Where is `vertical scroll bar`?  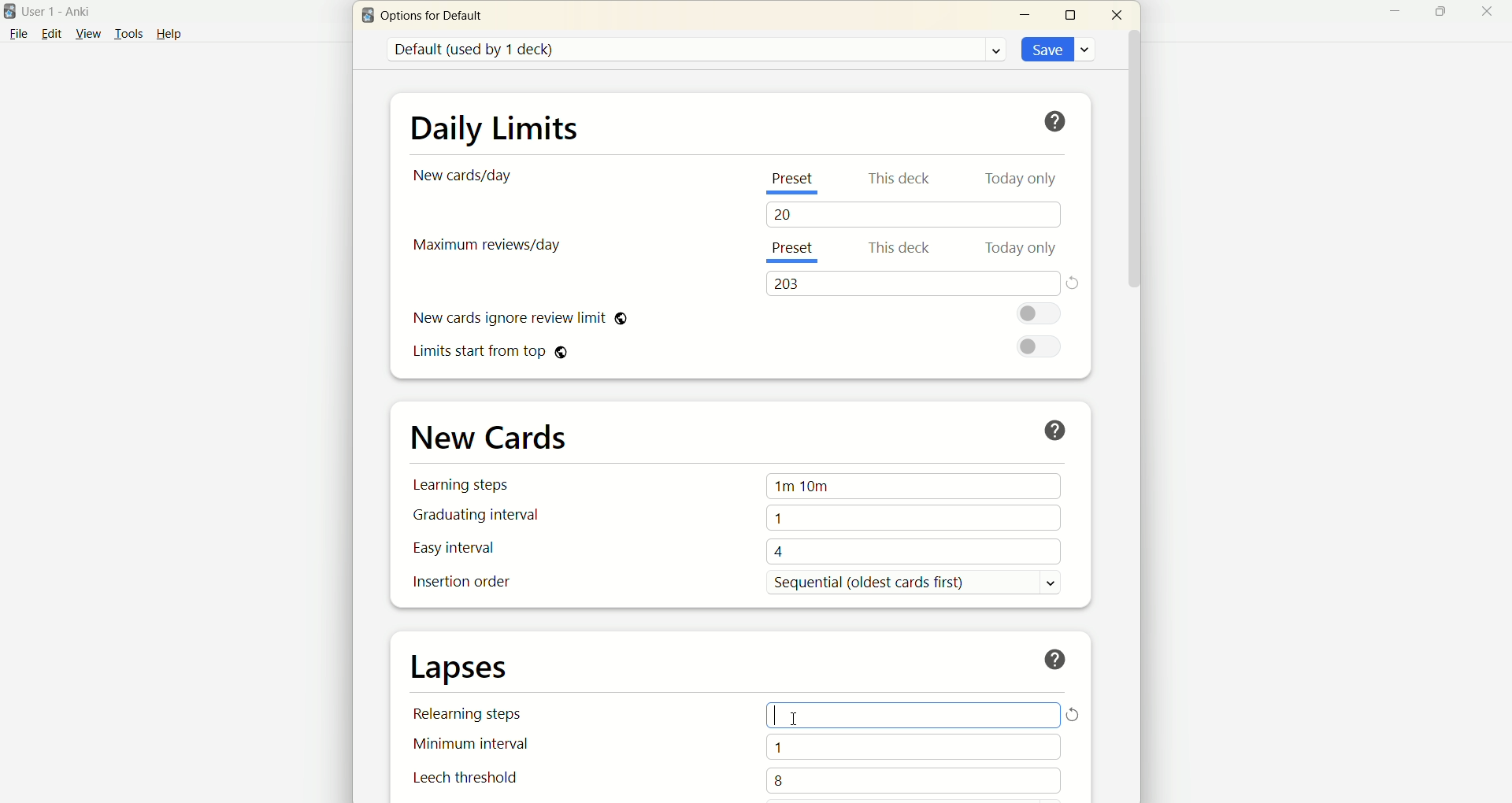
vertical scroll bar is located at coordinates (1135, 414).